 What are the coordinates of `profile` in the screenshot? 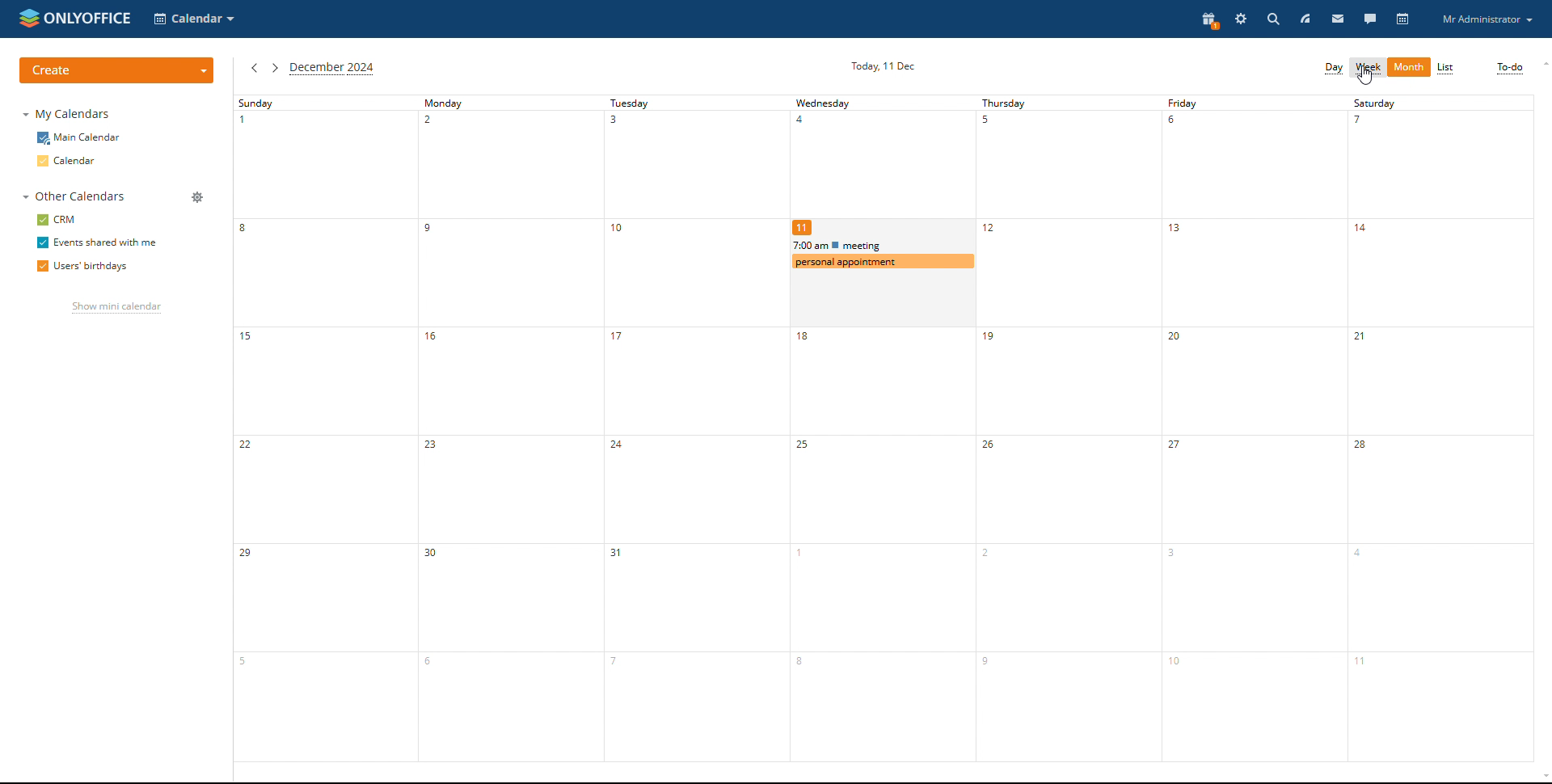 It's located at (1487, 19).